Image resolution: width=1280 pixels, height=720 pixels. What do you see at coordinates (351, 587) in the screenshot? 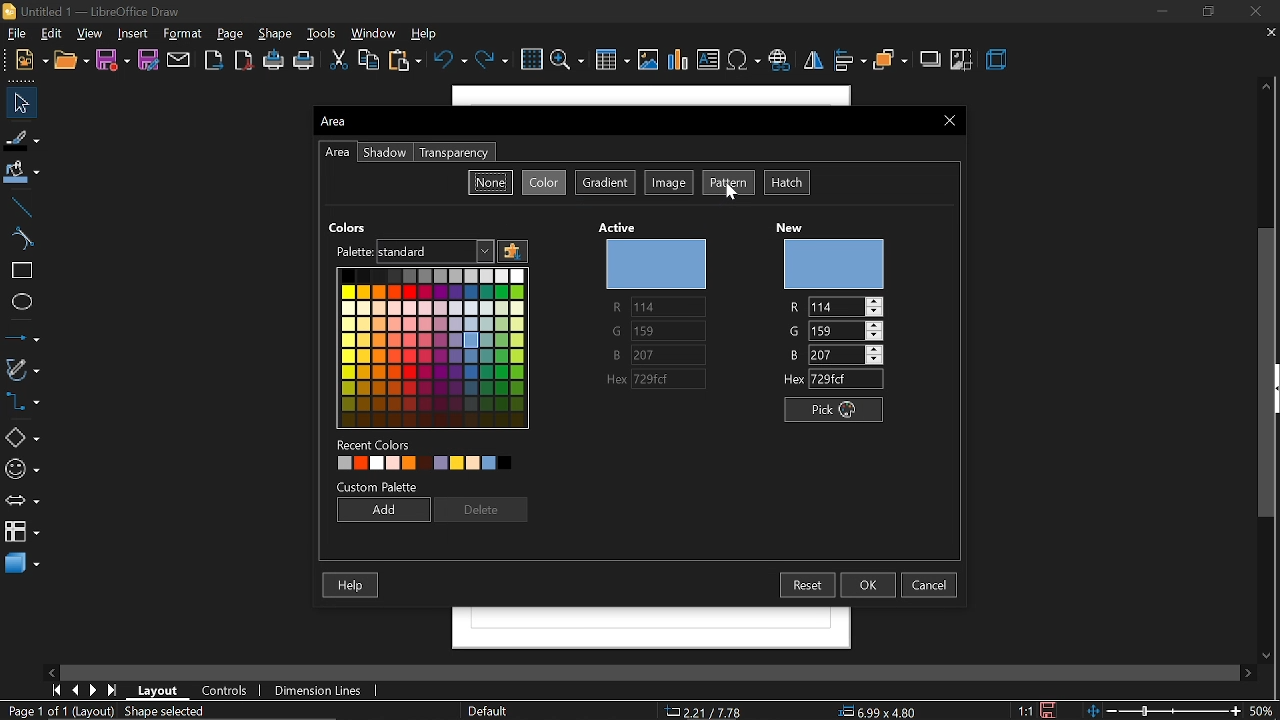
I see `help` at bounding box center [351, 587].